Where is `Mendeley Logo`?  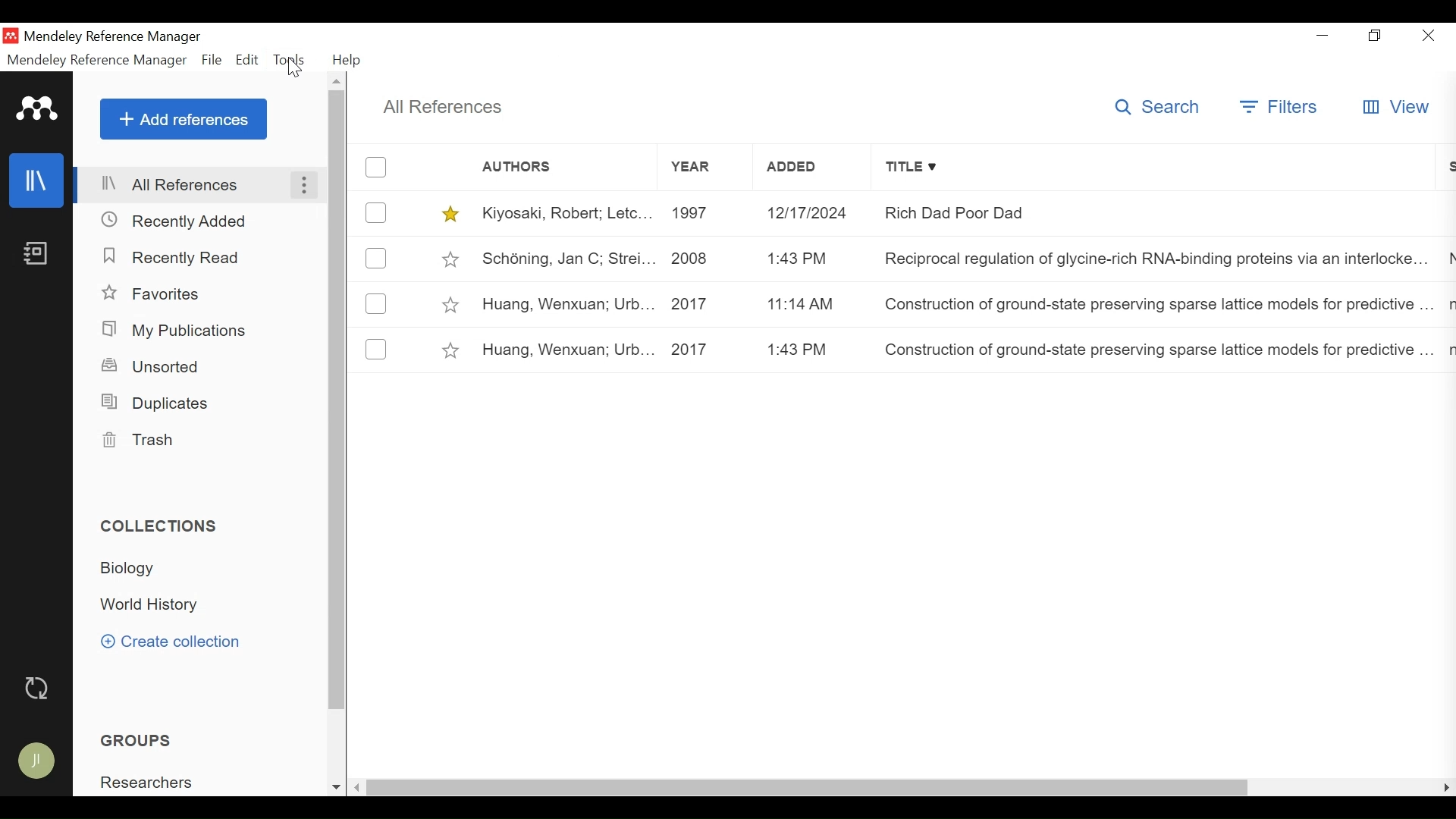
Mendeley Logo is located at coordinates (37, 109).